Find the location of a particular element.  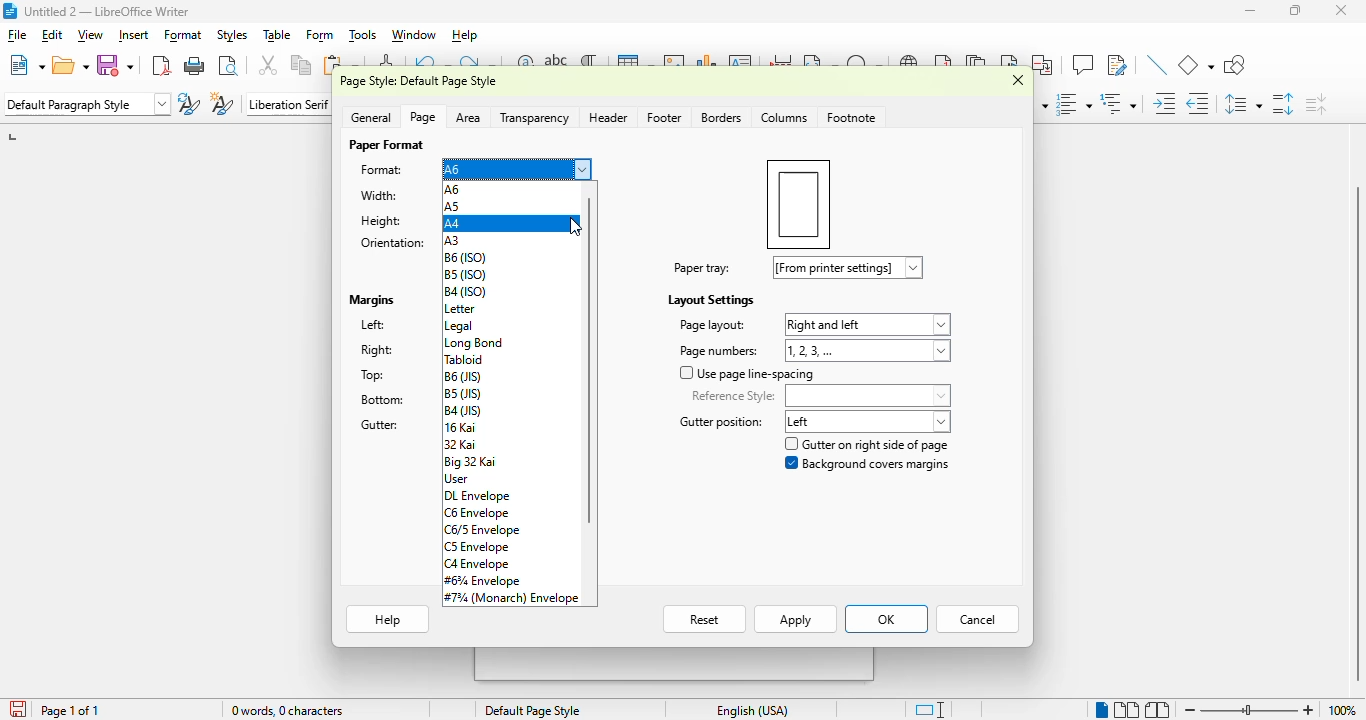

word and character count is located at coordinates (288, 710).